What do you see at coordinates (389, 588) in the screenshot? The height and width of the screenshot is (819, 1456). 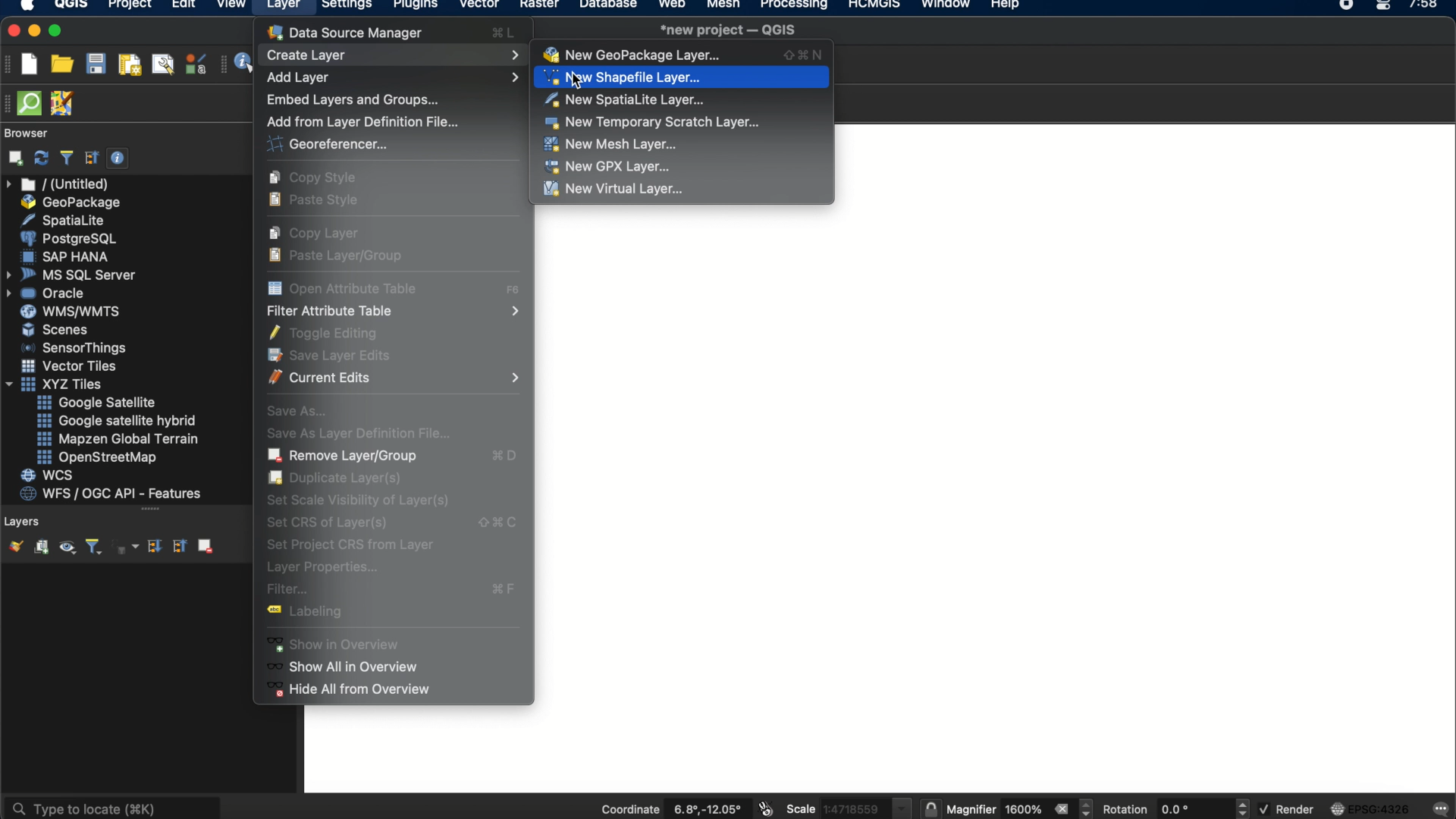 I see `filter` at bounding box center [389, 588].